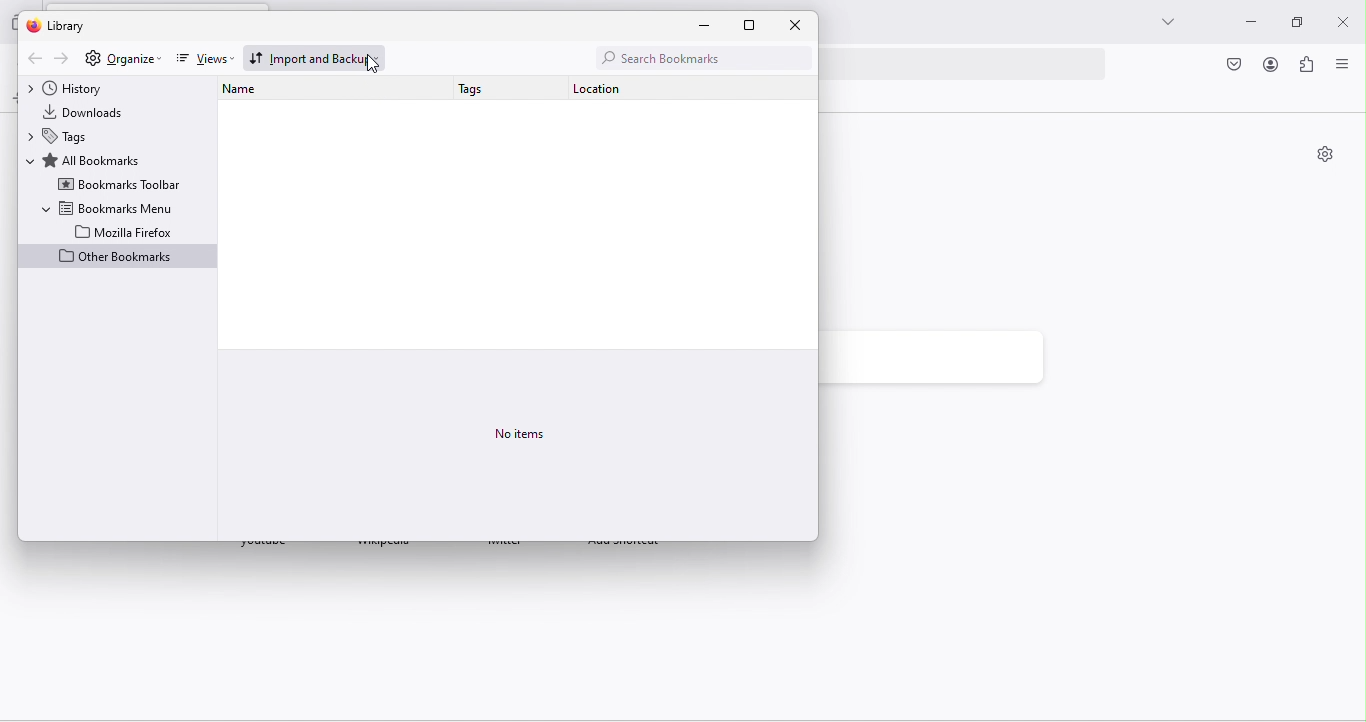 The height and width of the screenshot is (722, 1366). What do you see at coordinates (1341, 19) in the screenshot?
I see `close` at bounding box center [1341, 19].